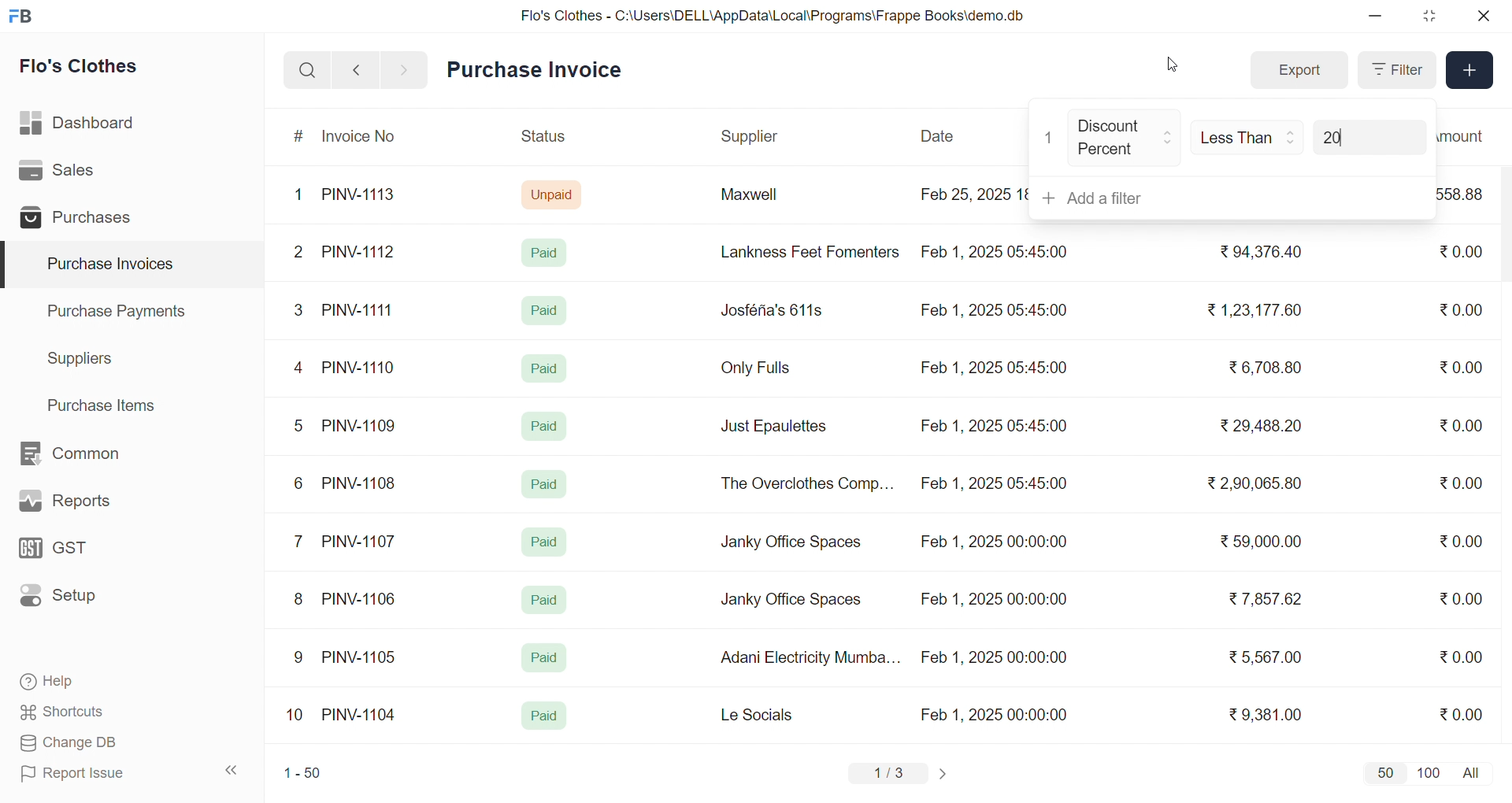 The width and height of the screenshot is (1512, 803). I want to click on Sales, so click(81, 173).